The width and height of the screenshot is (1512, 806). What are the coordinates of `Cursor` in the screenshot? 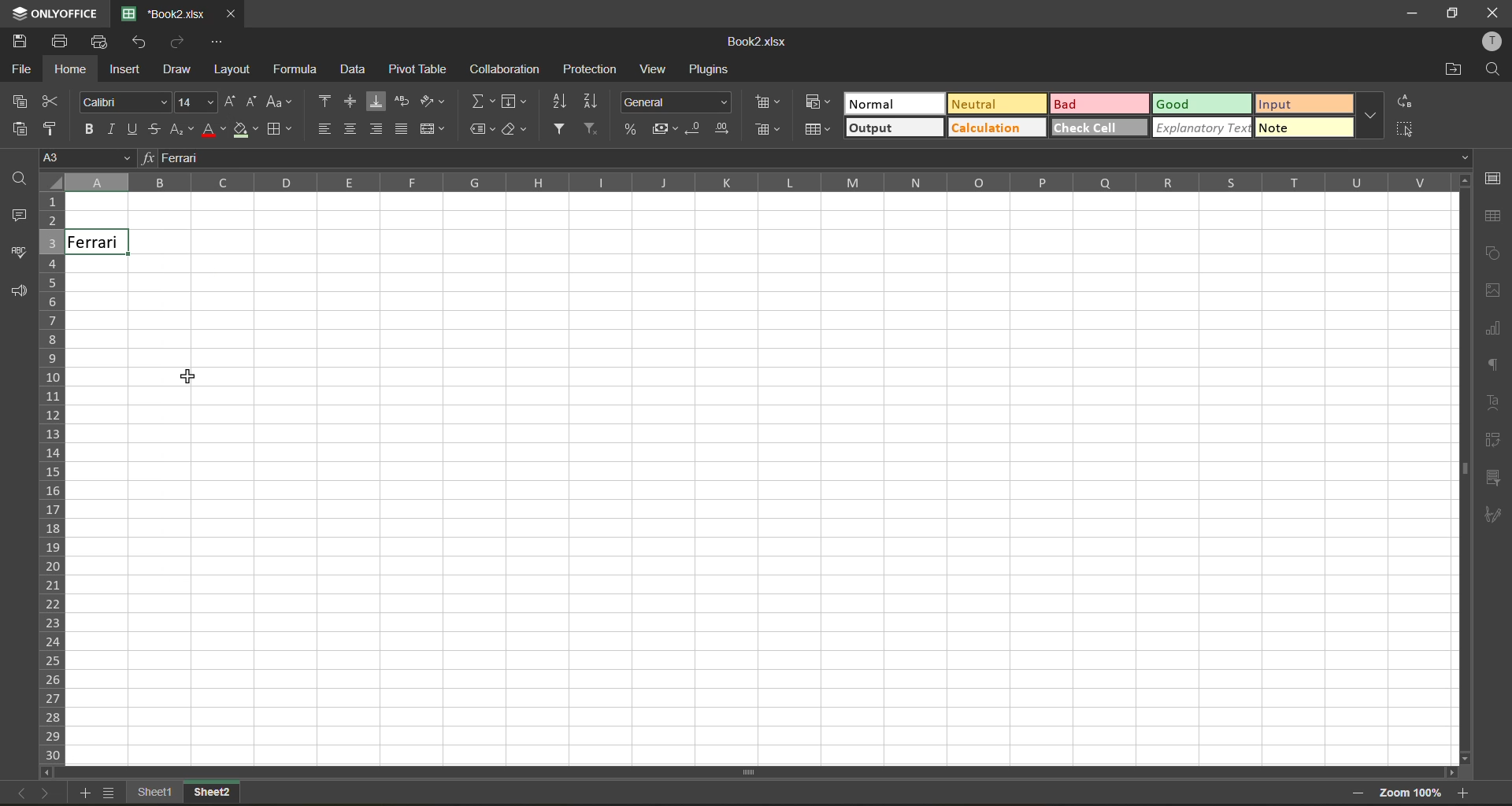 It's located at (192, 380).